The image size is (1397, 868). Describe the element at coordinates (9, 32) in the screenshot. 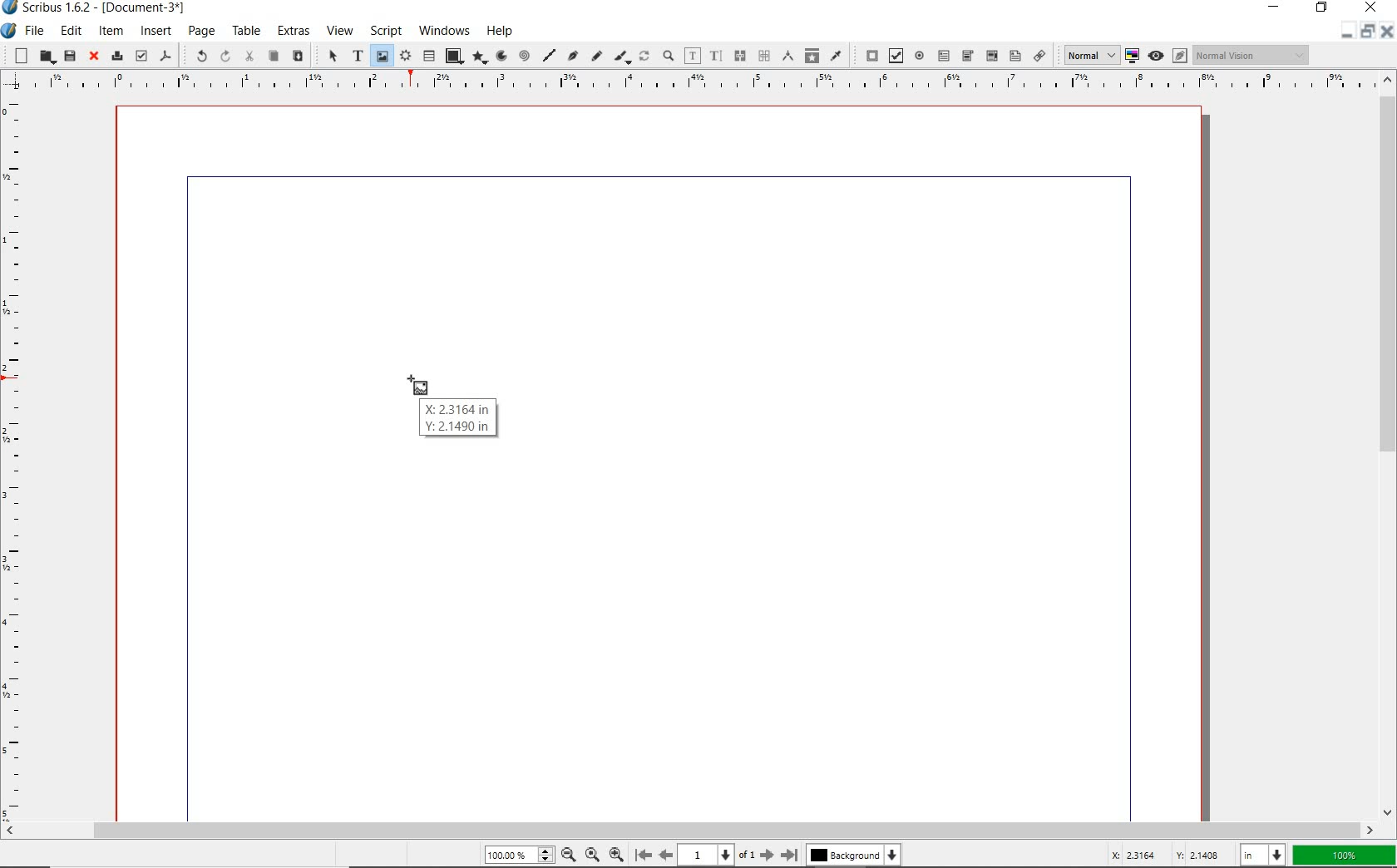

I see `SYSTEM ICON` at that location.